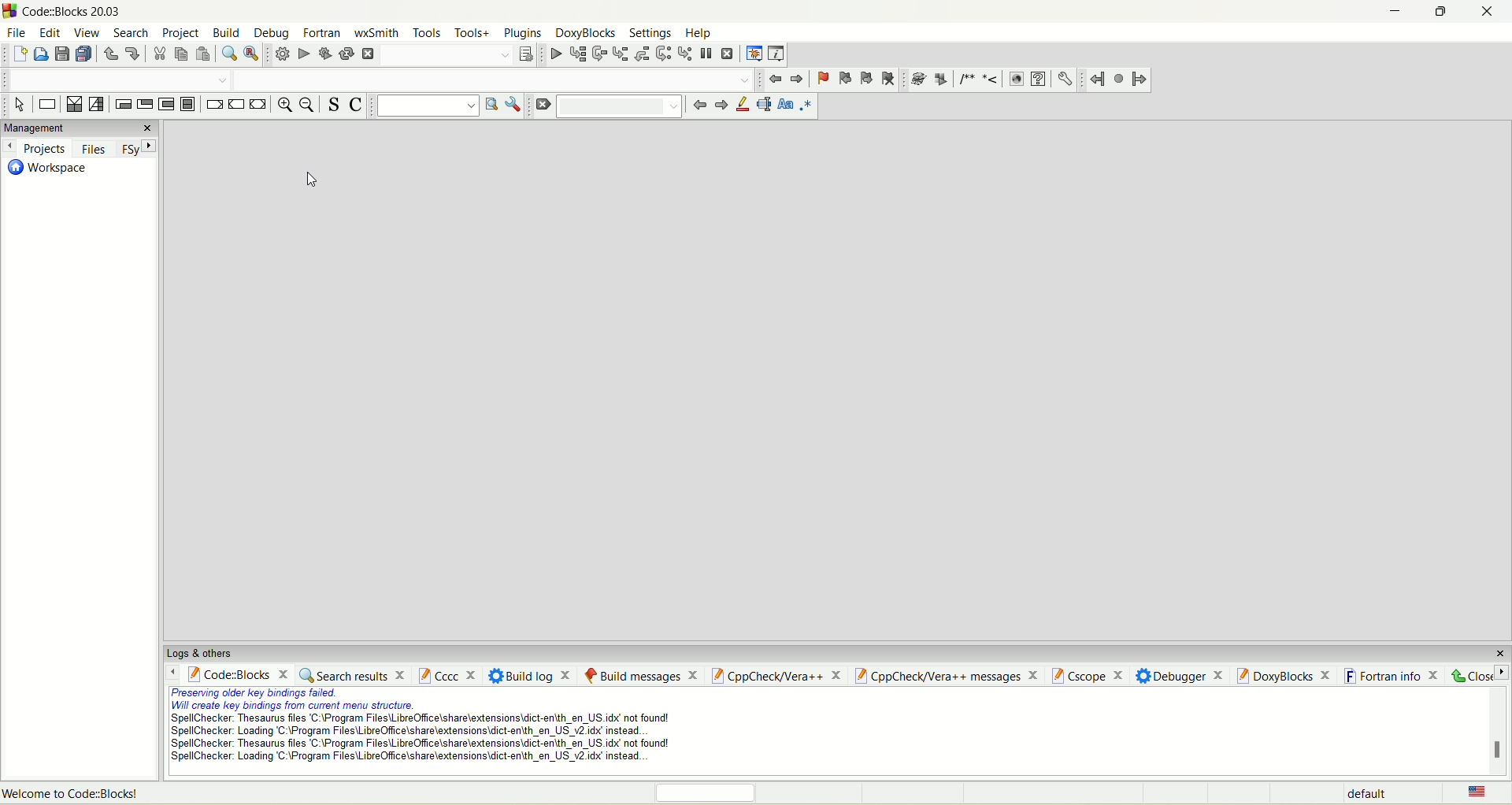 The image size is (1512, 805). I want to click on selection, so click(97, 104).